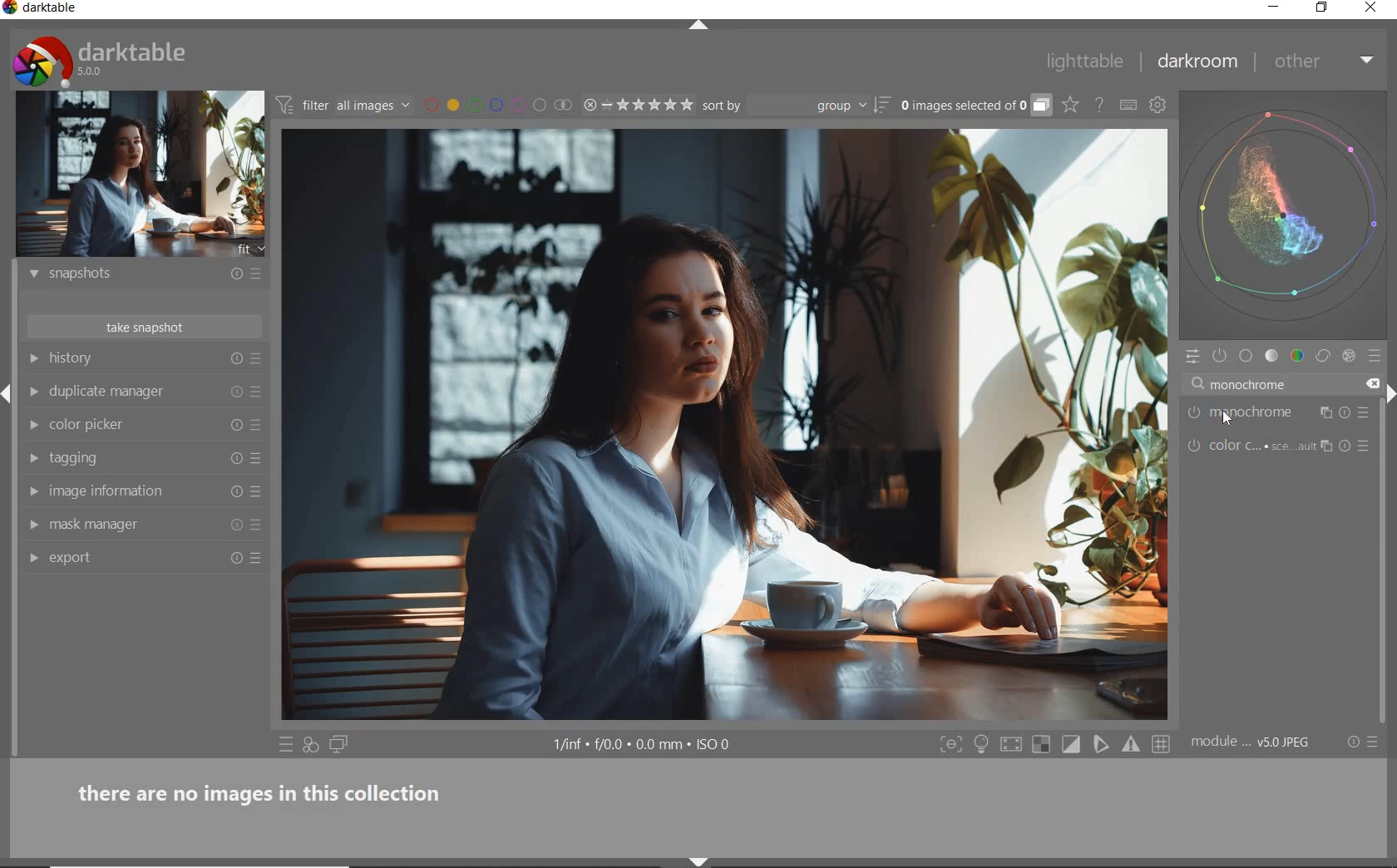  I want to click on history, so click(135, 359).